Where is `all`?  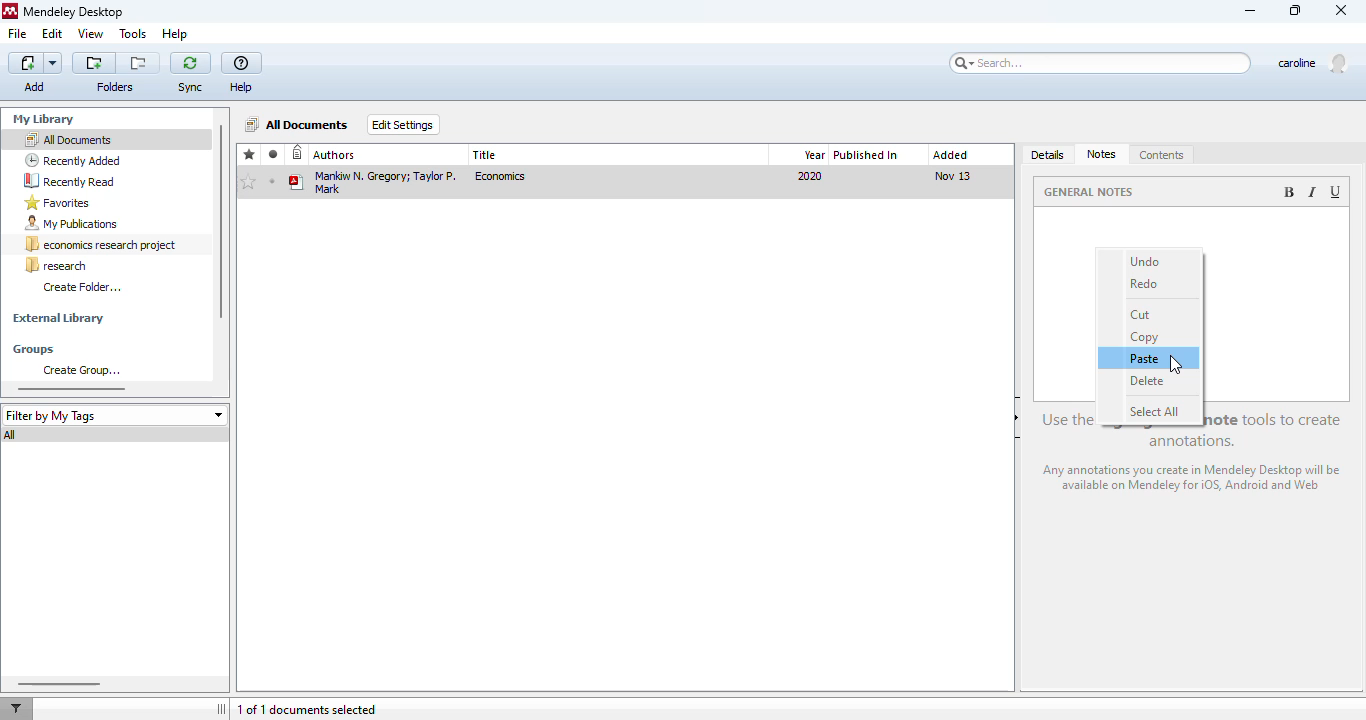 all is located at coordinates (12, 435).